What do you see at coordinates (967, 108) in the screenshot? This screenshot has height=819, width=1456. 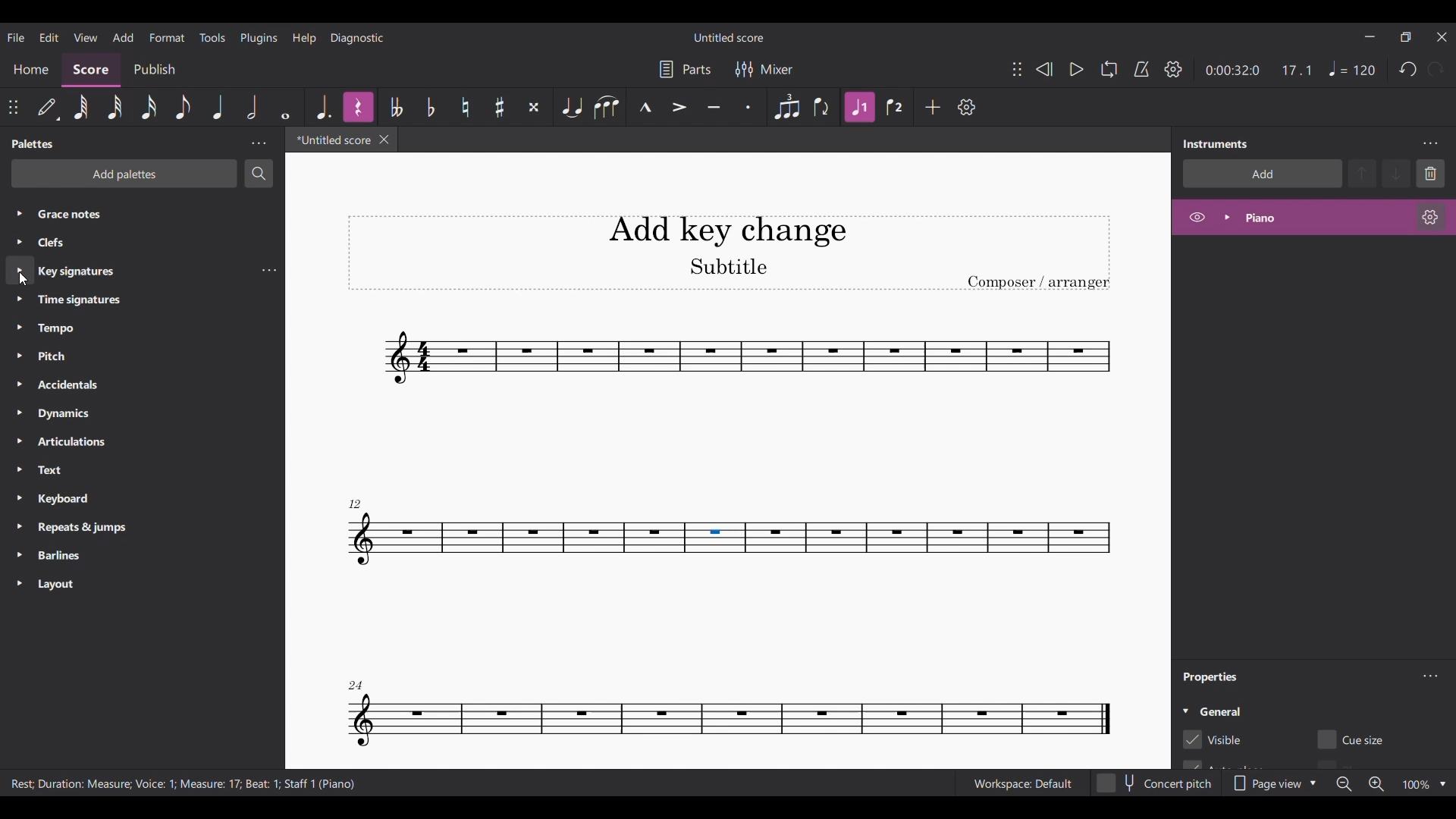 I see `Customize toolbar` at bounding box center [967, 108].